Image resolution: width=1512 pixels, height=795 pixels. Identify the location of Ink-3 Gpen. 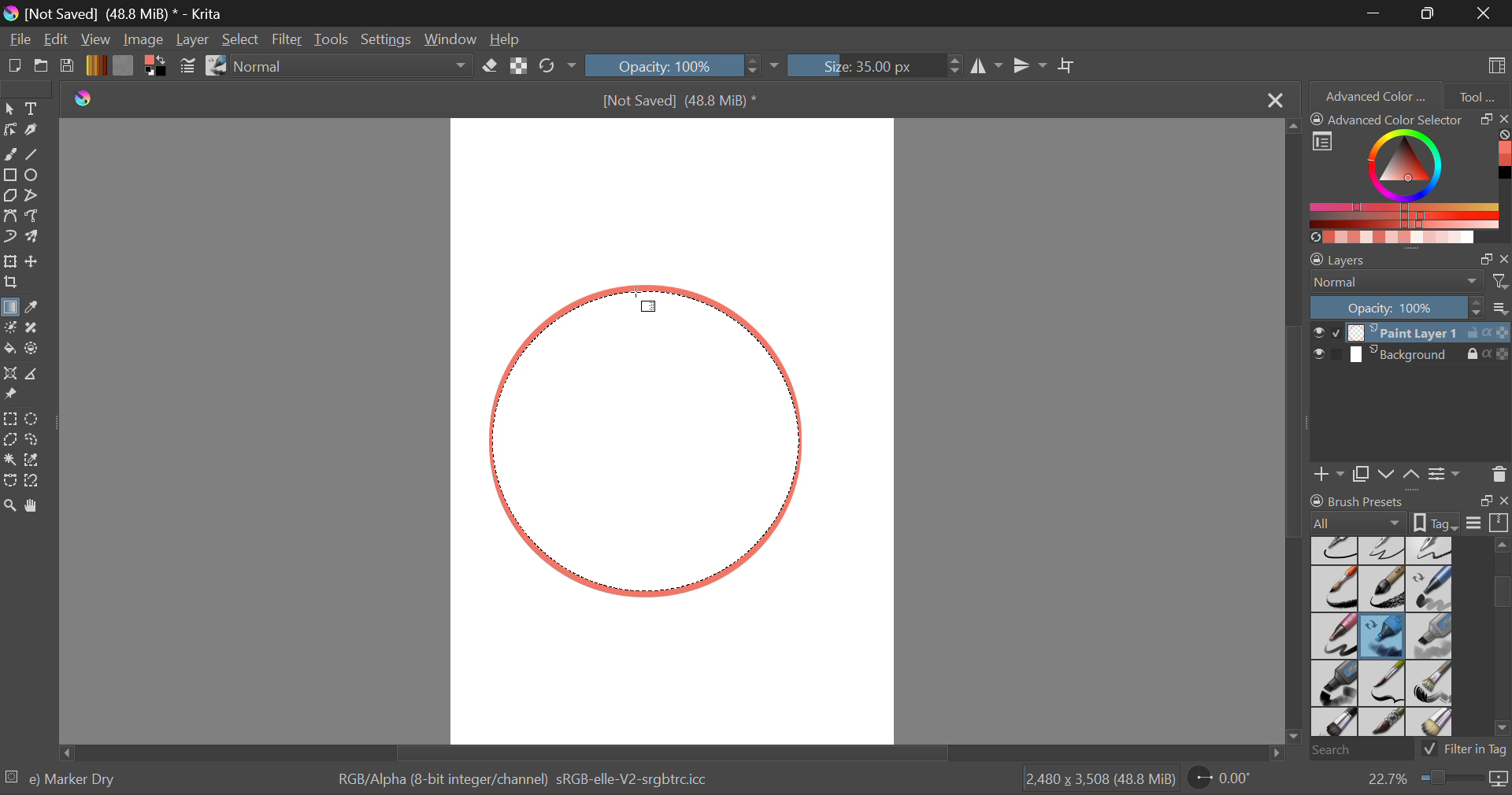
(1384, 550).